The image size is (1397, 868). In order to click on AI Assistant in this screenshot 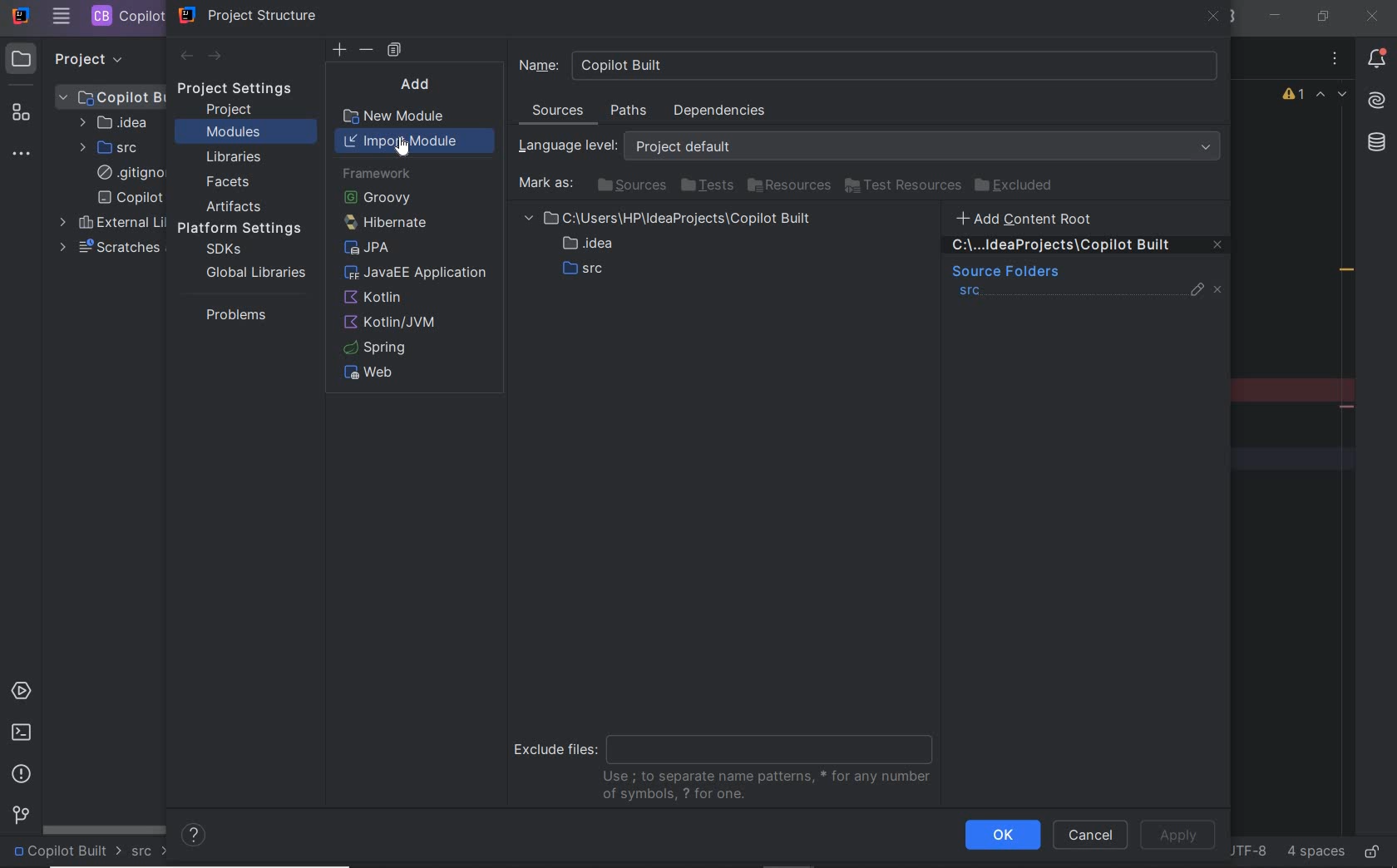, I will do `click(1375, 101)`.